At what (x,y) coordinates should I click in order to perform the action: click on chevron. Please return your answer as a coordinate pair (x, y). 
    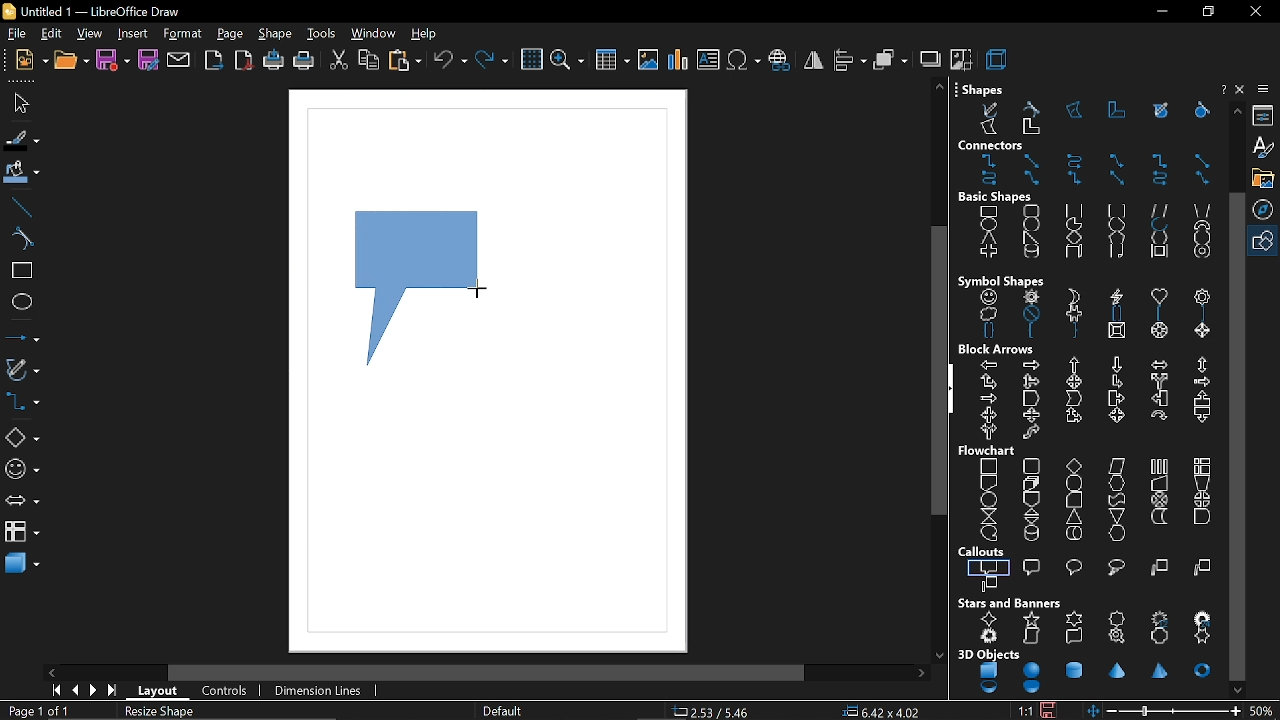
    Looking at the image, I should click on (1074, 398).